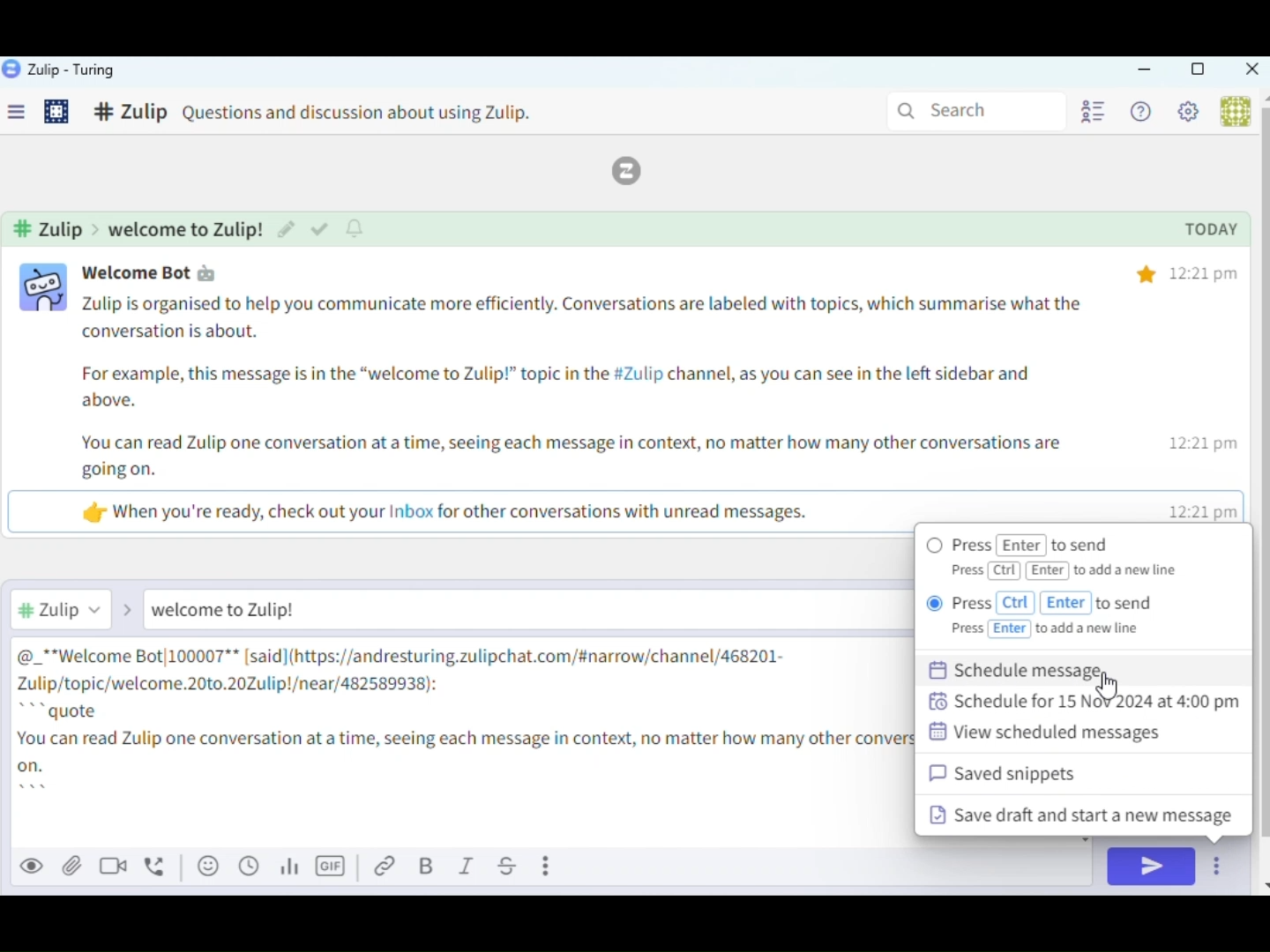 The height and width of the screenshot is (952, 1270). I want to click on More, so click(549, 865).